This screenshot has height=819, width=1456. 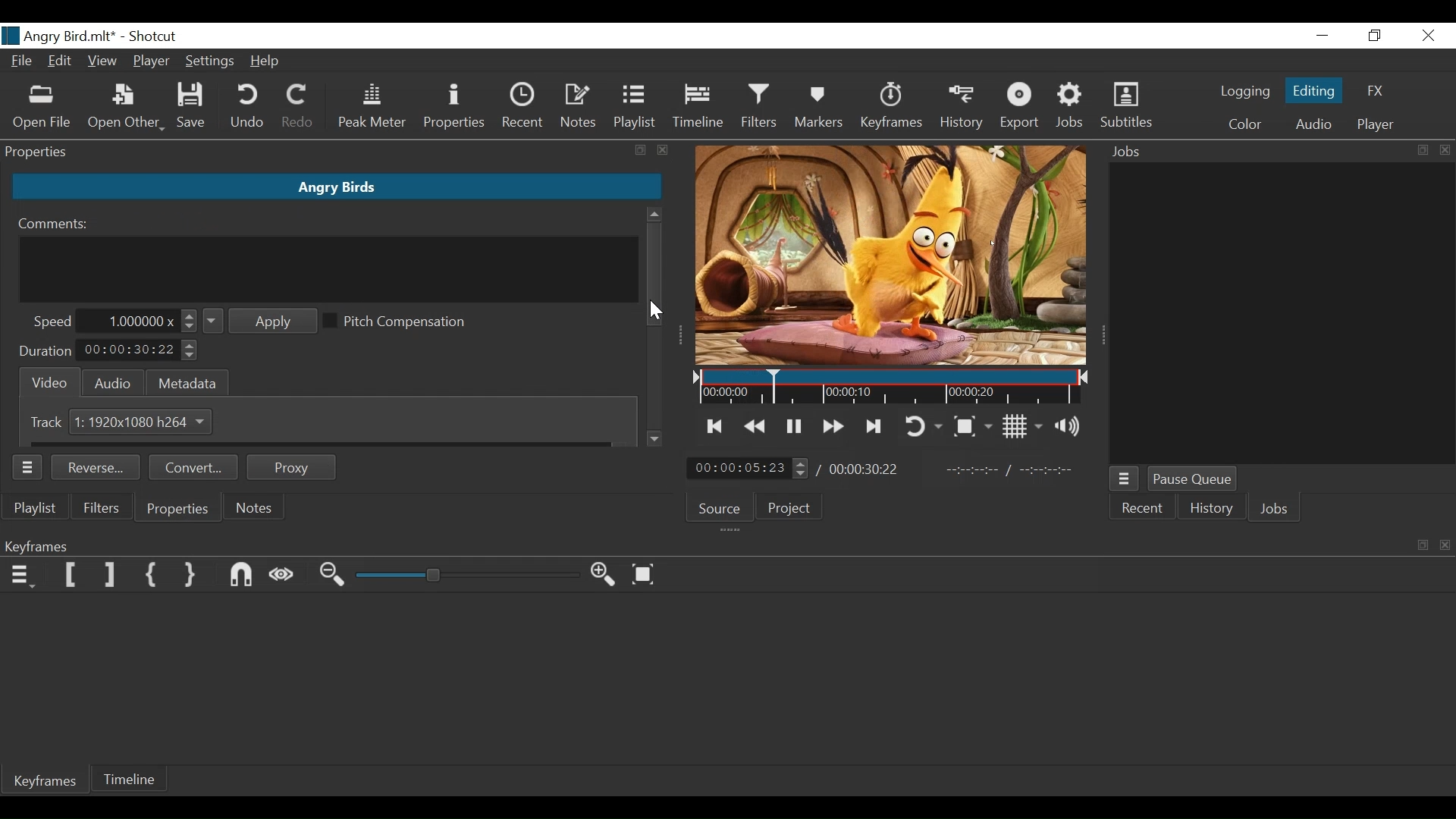 I want to click on Timeline, so click(x=697, y=109).